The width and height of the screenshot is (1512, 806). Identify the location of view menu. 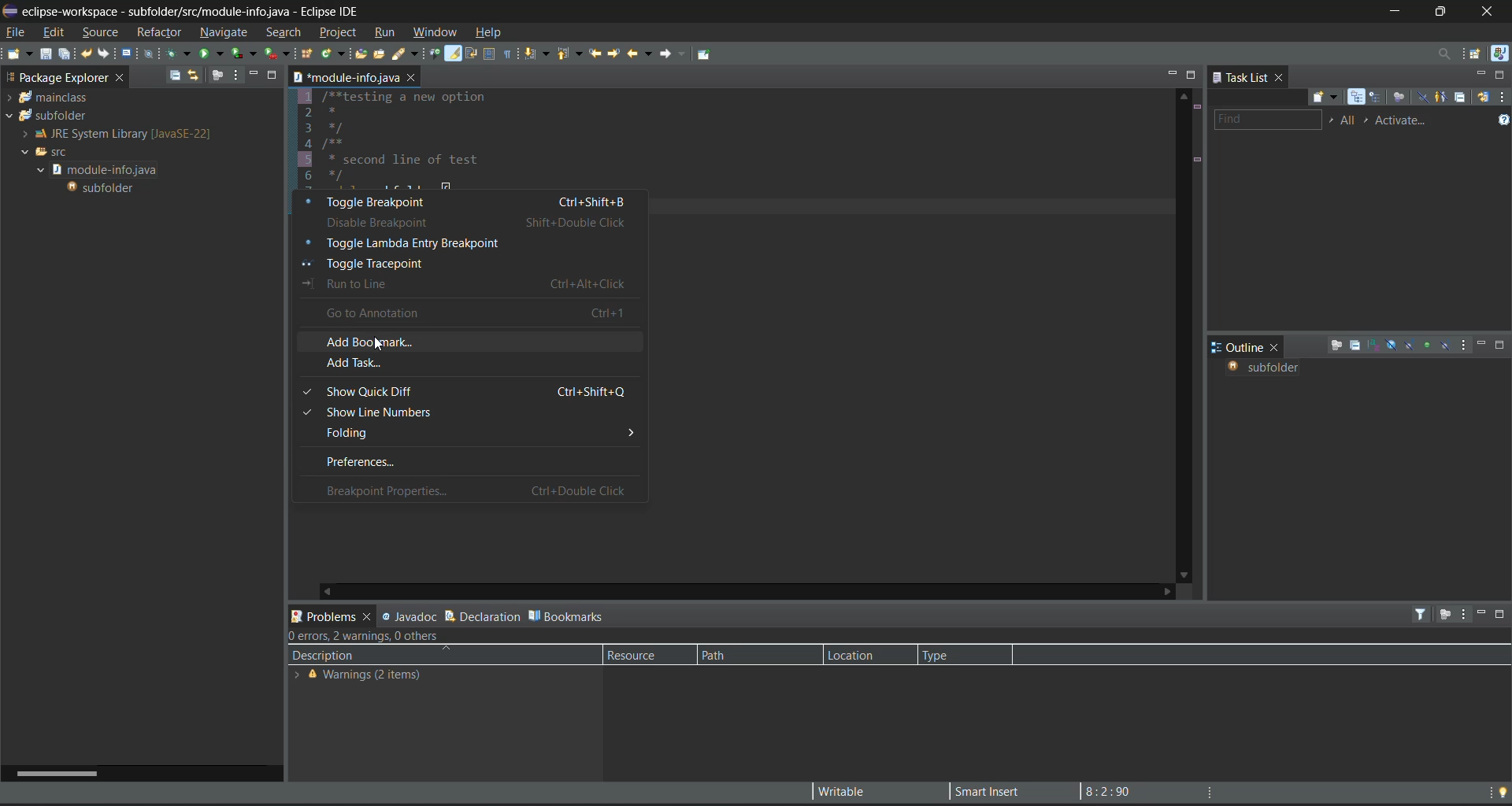
(1463, 615).